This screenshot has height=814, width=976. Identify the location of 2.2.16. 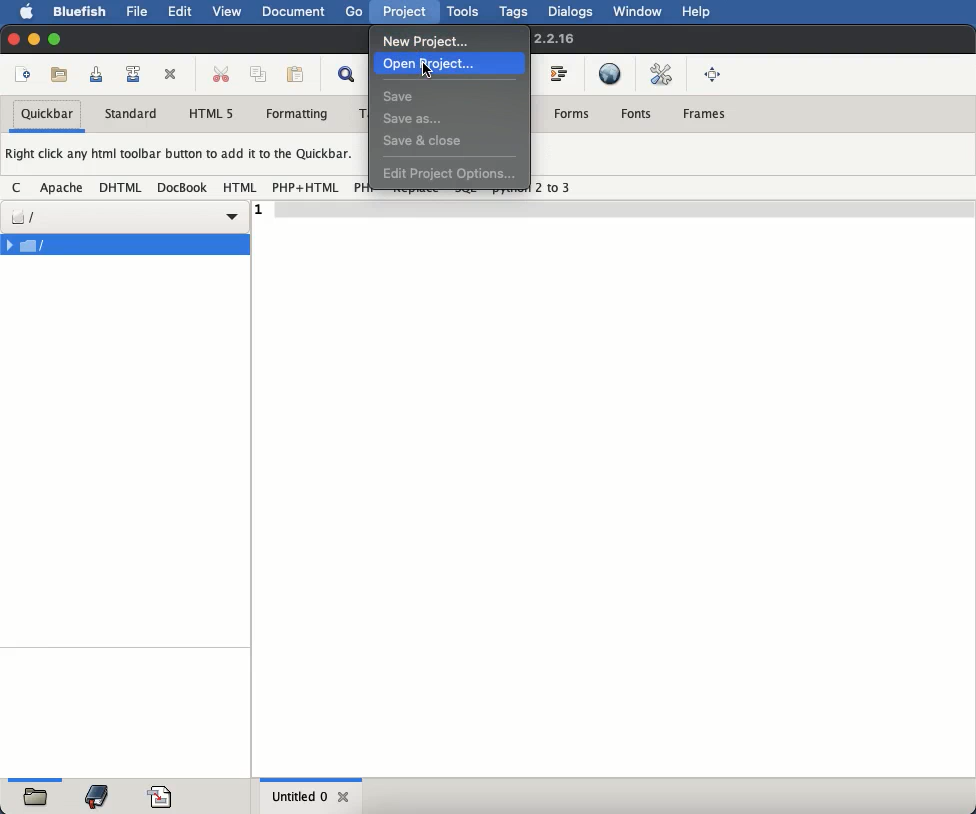
(555, 41).